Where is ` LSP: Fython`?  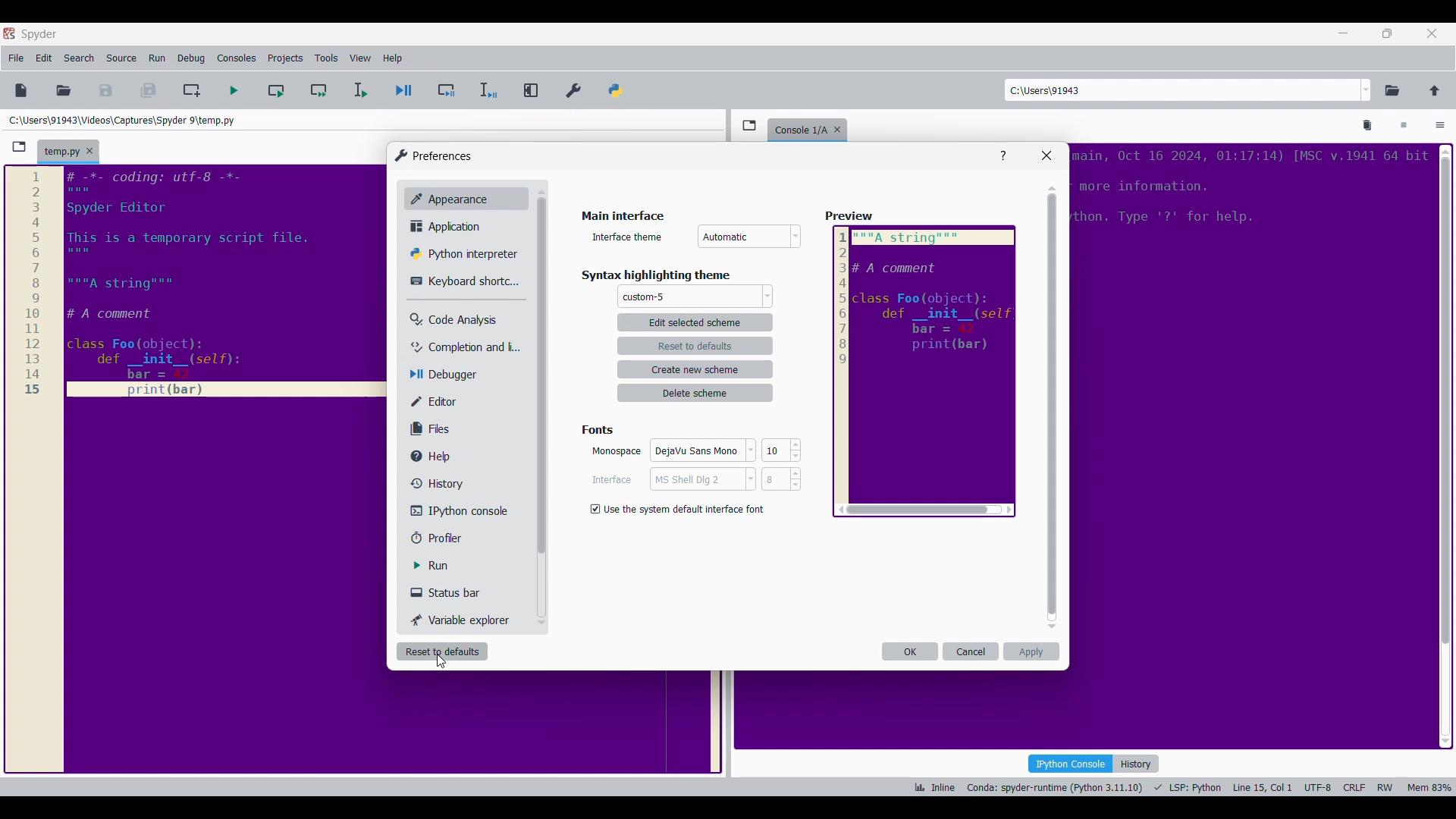
 LSP: Fython is located at coordinates (1190, 786).